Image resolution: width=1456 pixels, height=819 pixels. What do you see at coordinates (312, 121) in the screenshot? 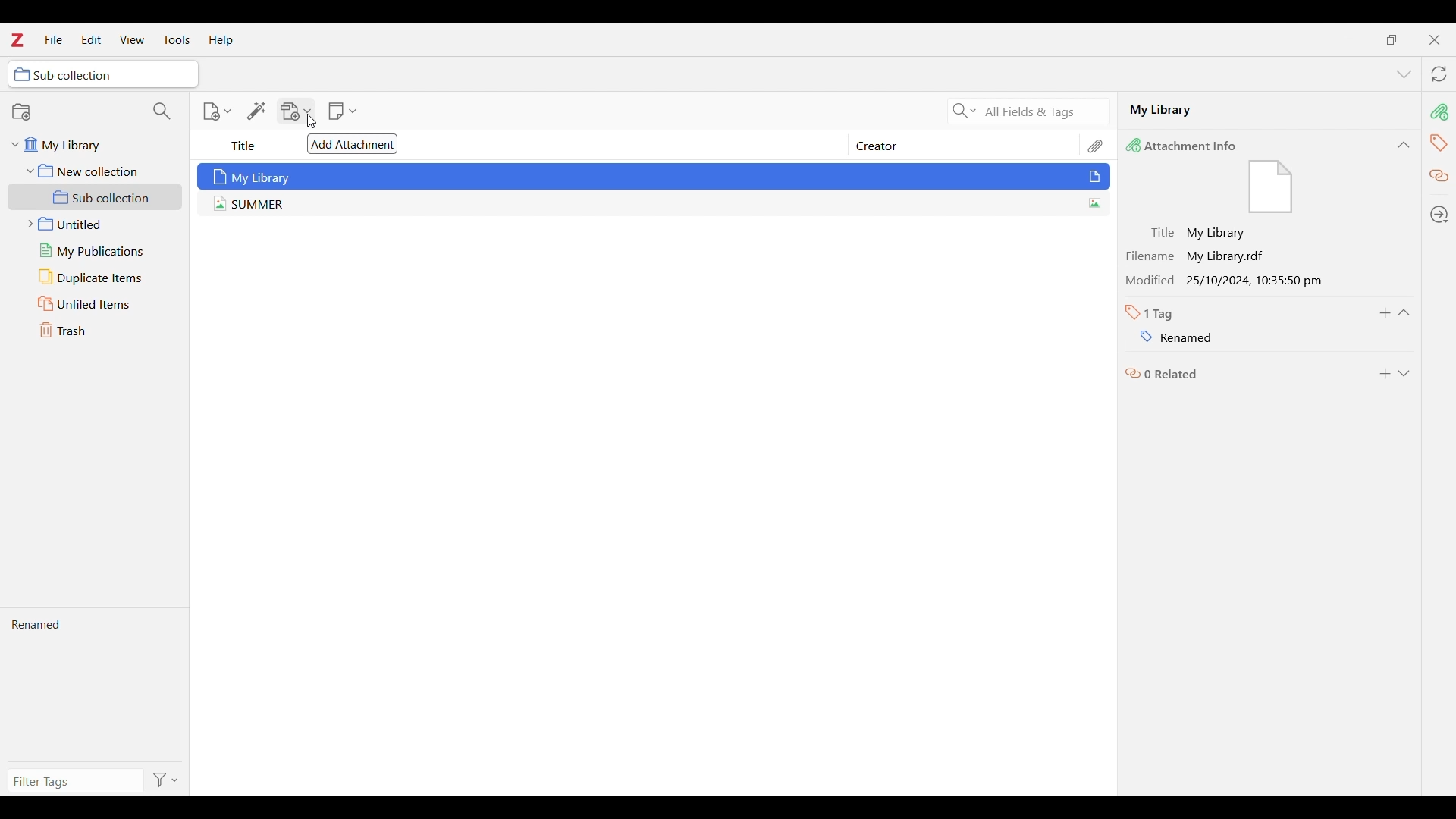
I see `Cursor` at bounding box center [312, 121].